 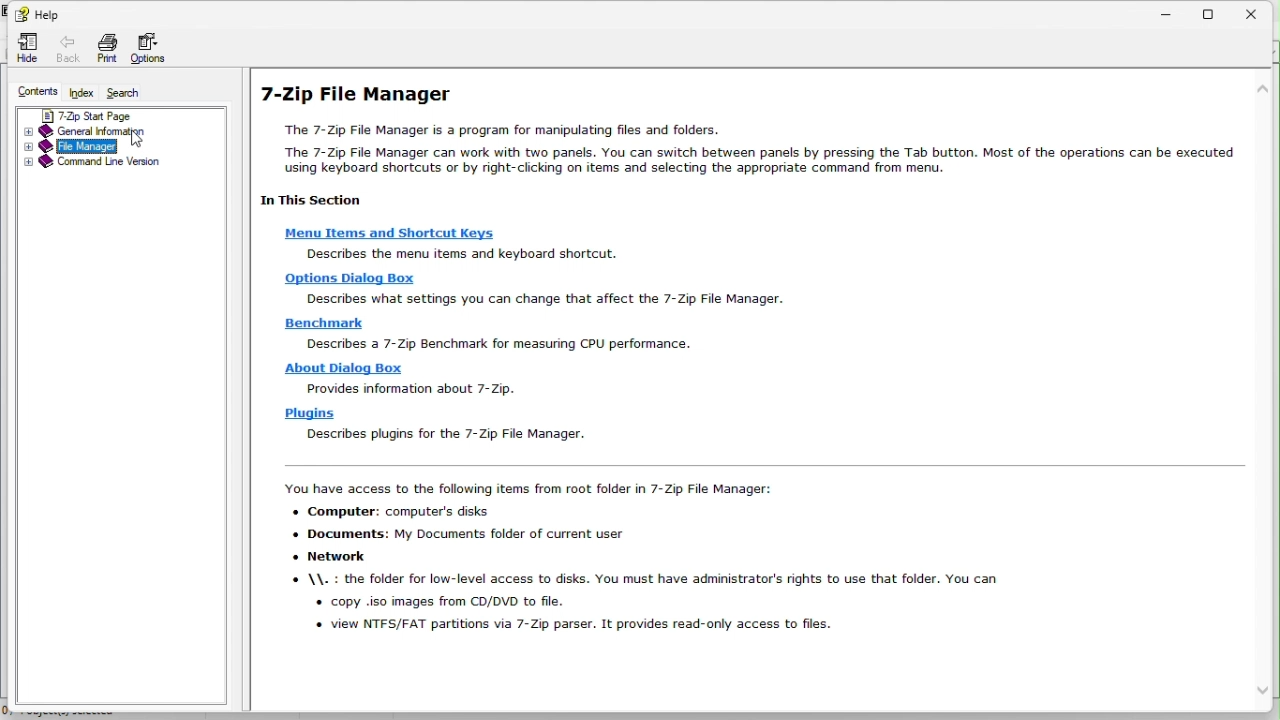 I want to click on Menu items and shortcut keys, so click(x=386, y=234).